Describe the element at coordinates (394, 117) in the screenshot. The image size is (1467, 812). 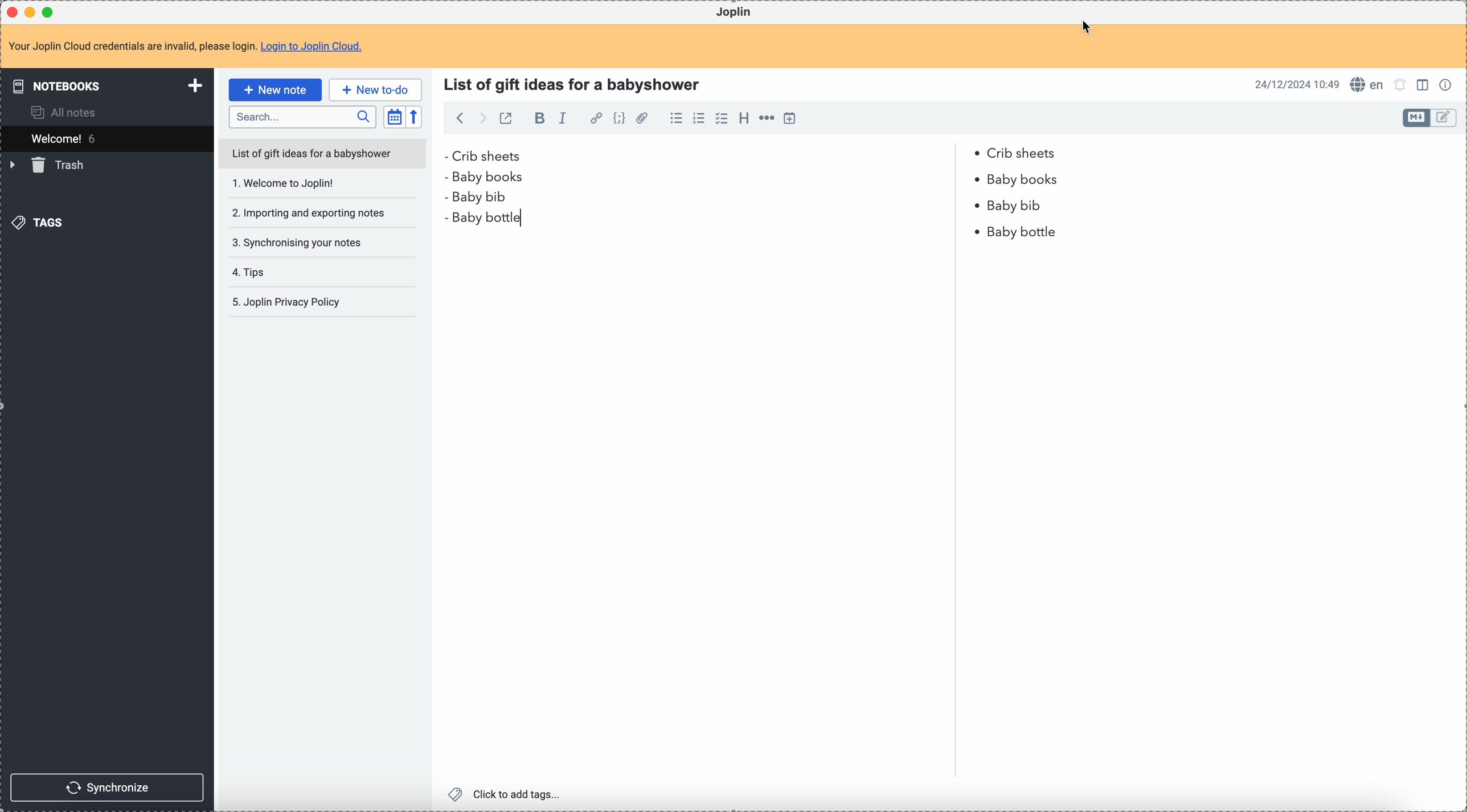
I see `toggle sort order field` at that location.